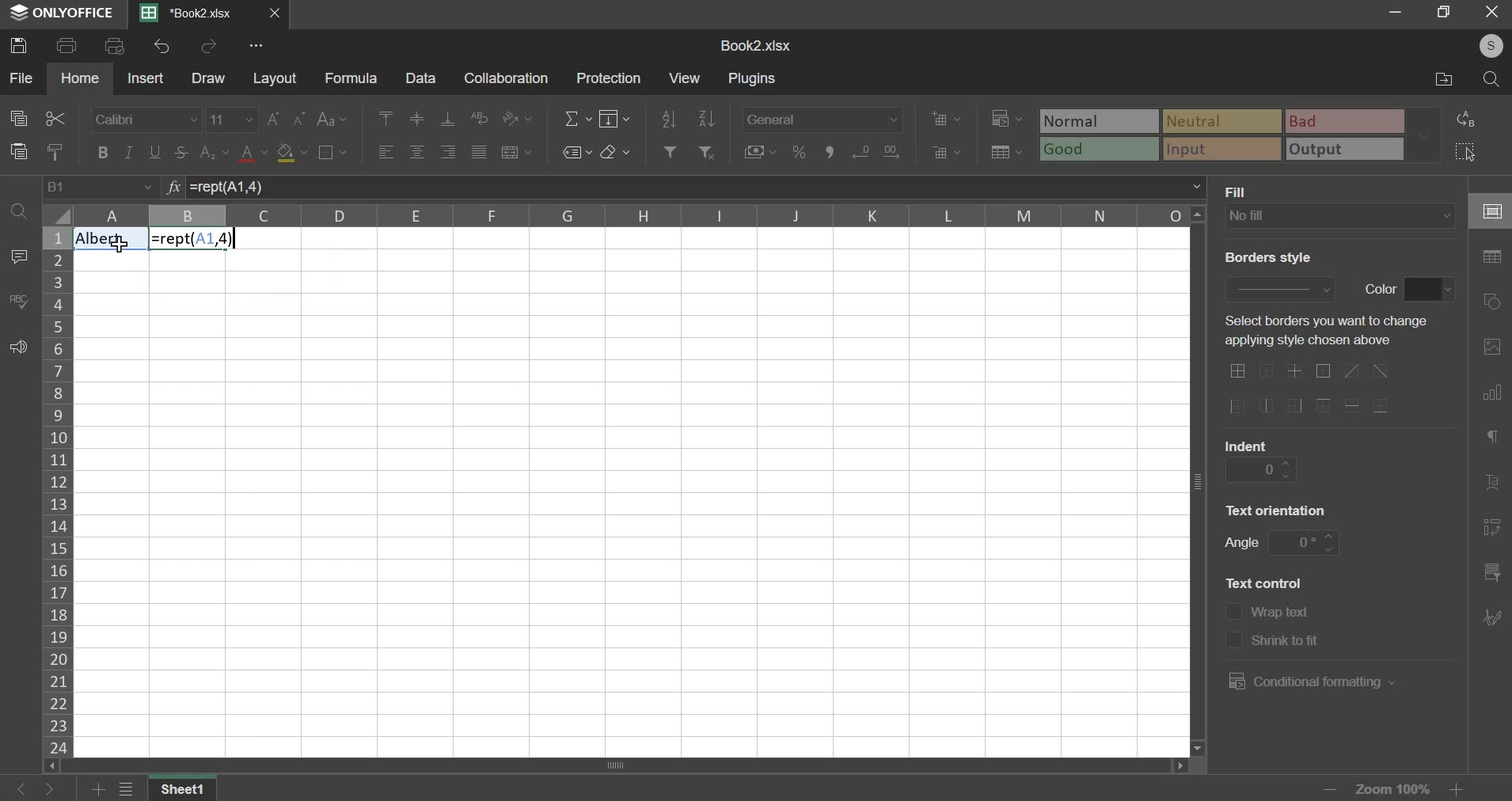 The width and height of the screenshot is (1512, 801). What do you see at coordinates (615, 151) in the screenshot?
I see `clear` at bounding box center [615, 151].